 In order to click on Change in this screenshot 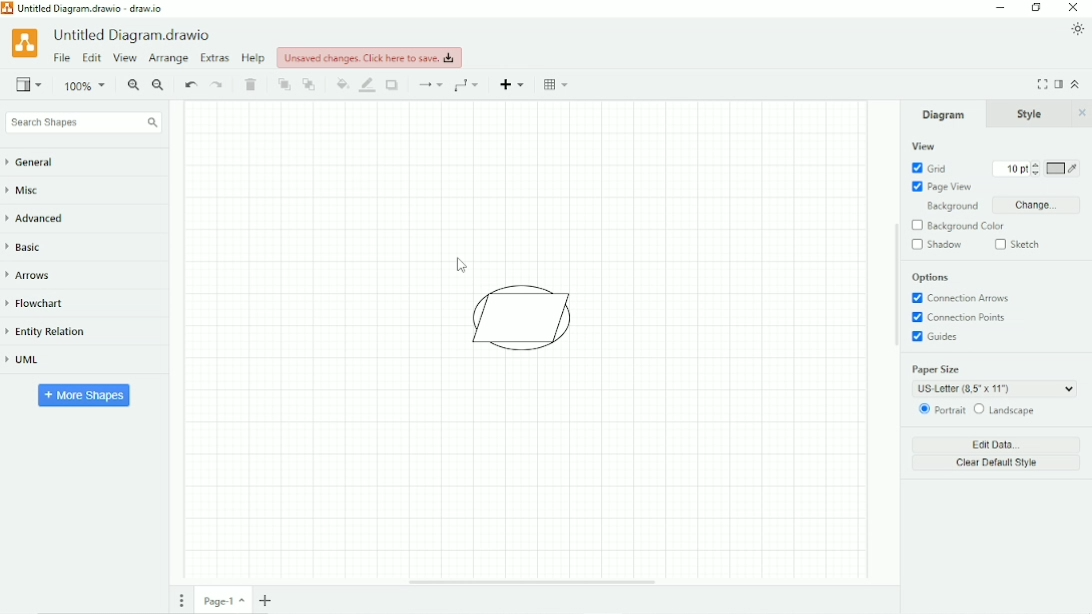, I will do `click(1035, 205)`.